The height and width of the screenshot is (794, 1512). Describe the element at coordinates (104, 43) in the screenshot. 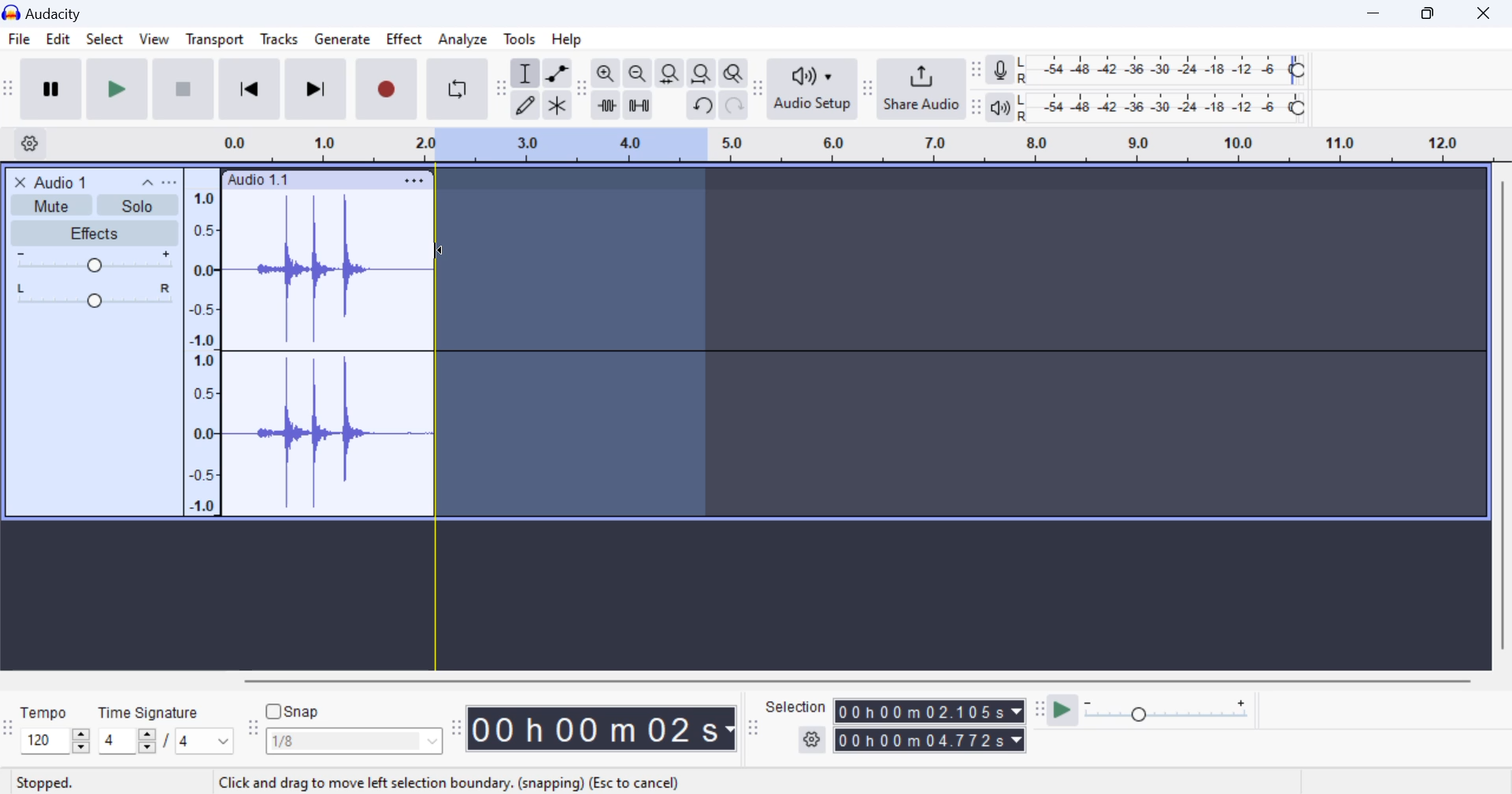

I see `Select` at that location.